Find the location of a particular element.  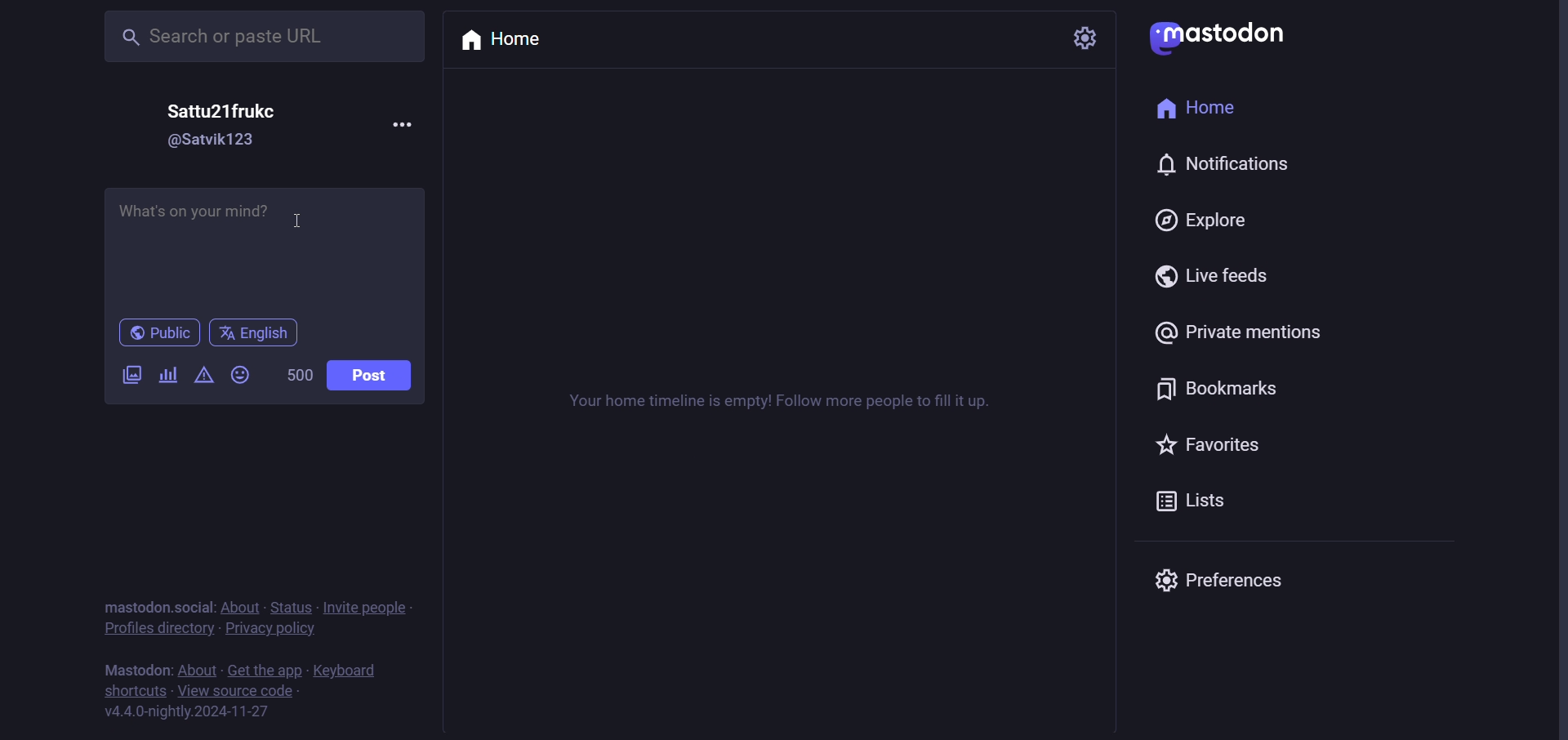

home is located at coordinates (504, 40).